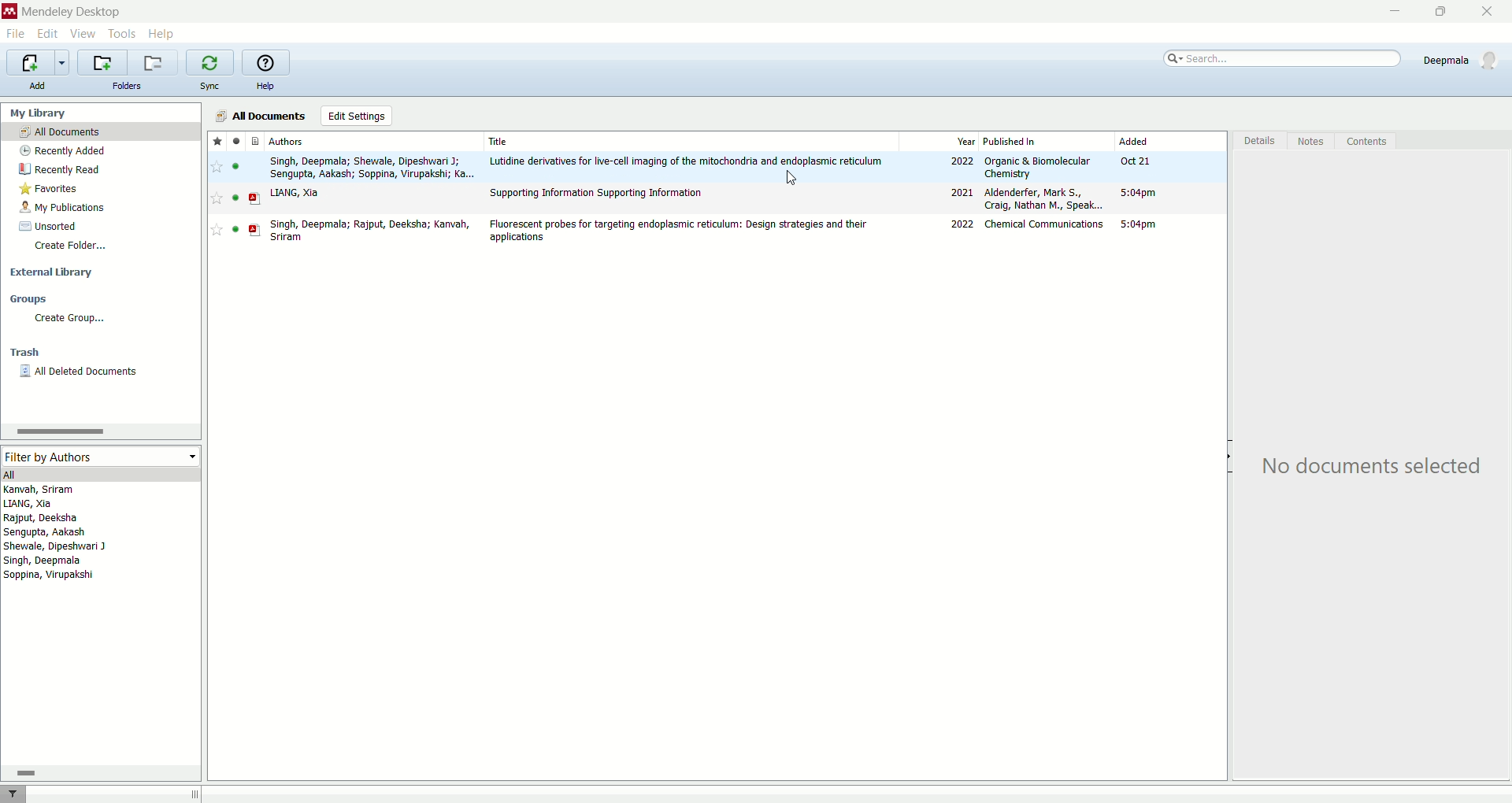  I want to click on unread, so click(235, 166).